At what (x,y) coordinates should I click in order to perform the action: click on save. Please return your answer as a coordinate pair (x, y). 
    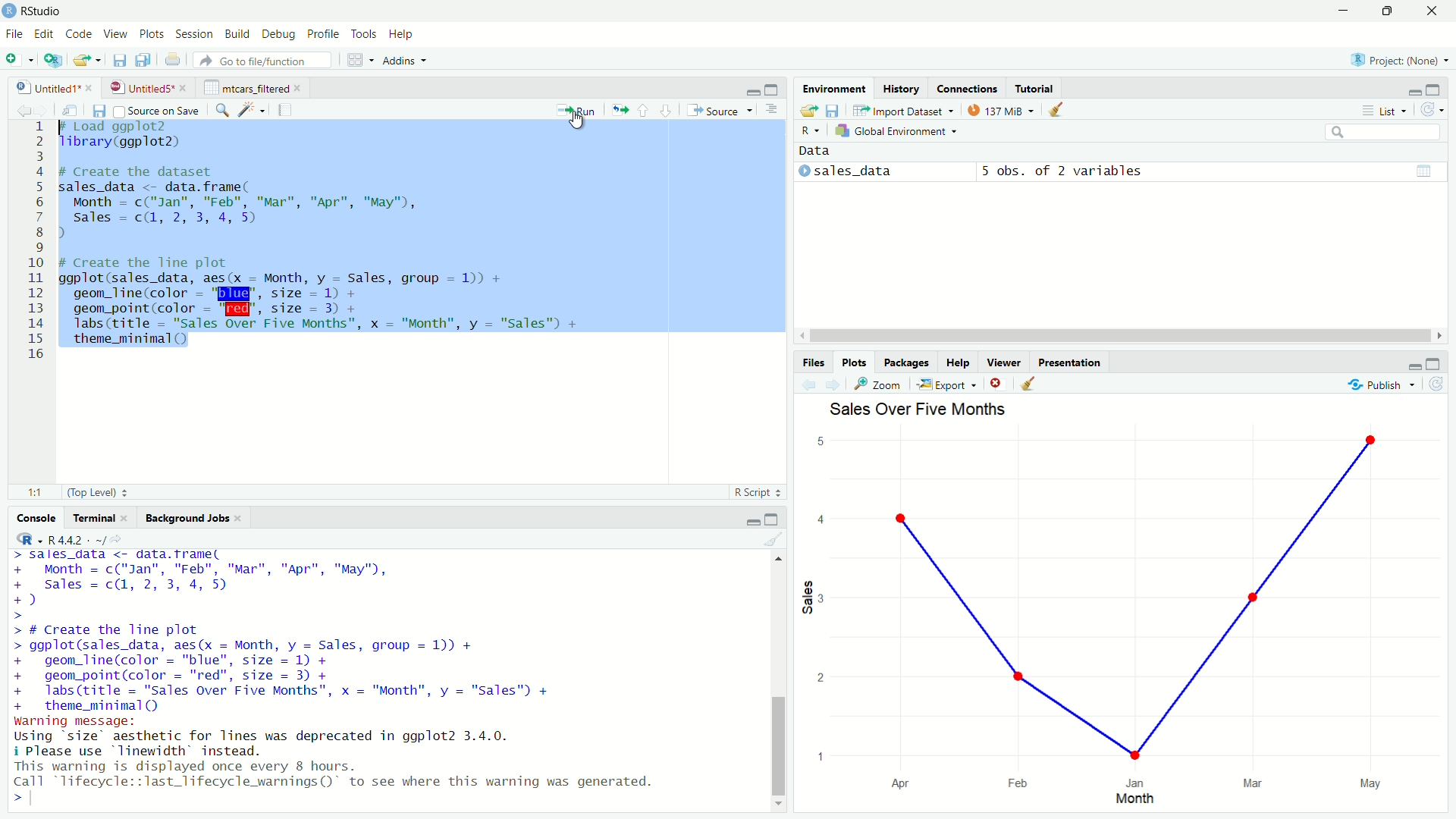
    Looking at the image, I should click on (121, 61).